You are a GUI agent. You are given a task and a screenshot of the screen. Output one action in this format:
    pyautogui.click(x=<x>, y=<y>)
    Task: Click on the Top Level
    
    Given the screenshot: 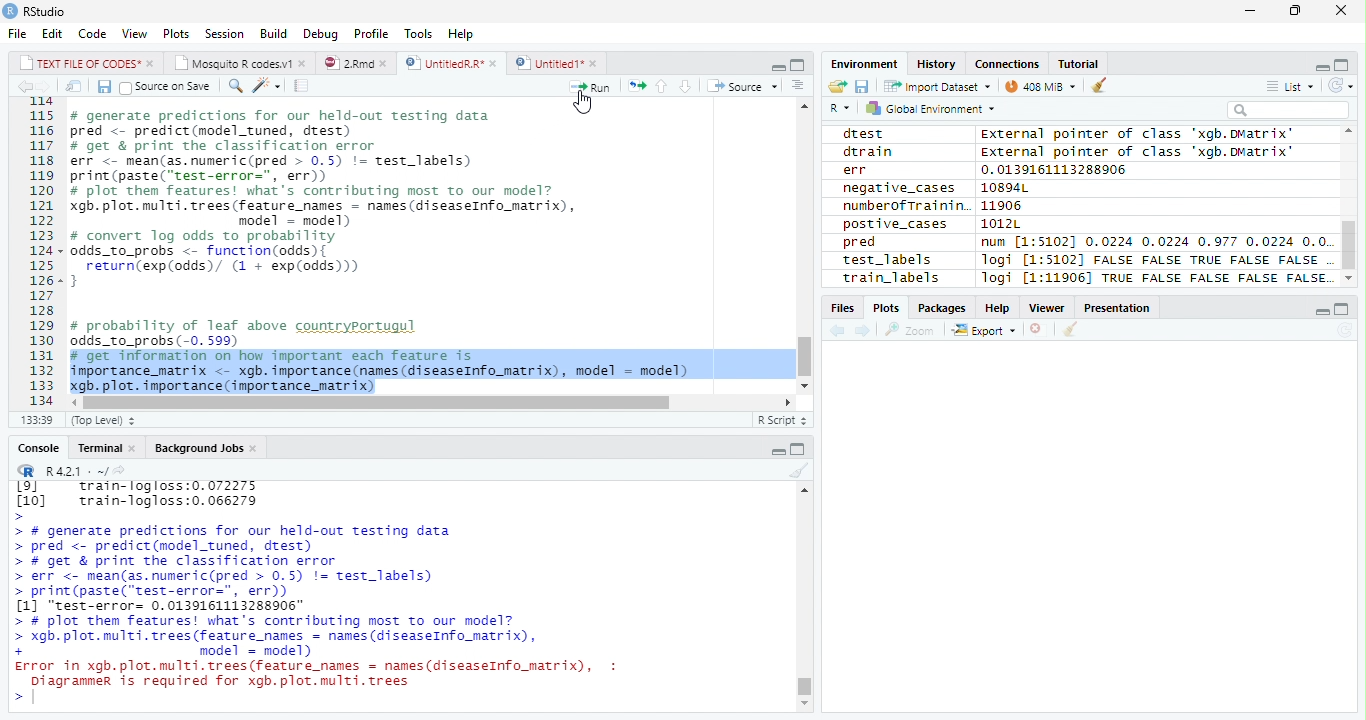 What is the action you would take?
    pyautogui.click(x=105, y=419)
    